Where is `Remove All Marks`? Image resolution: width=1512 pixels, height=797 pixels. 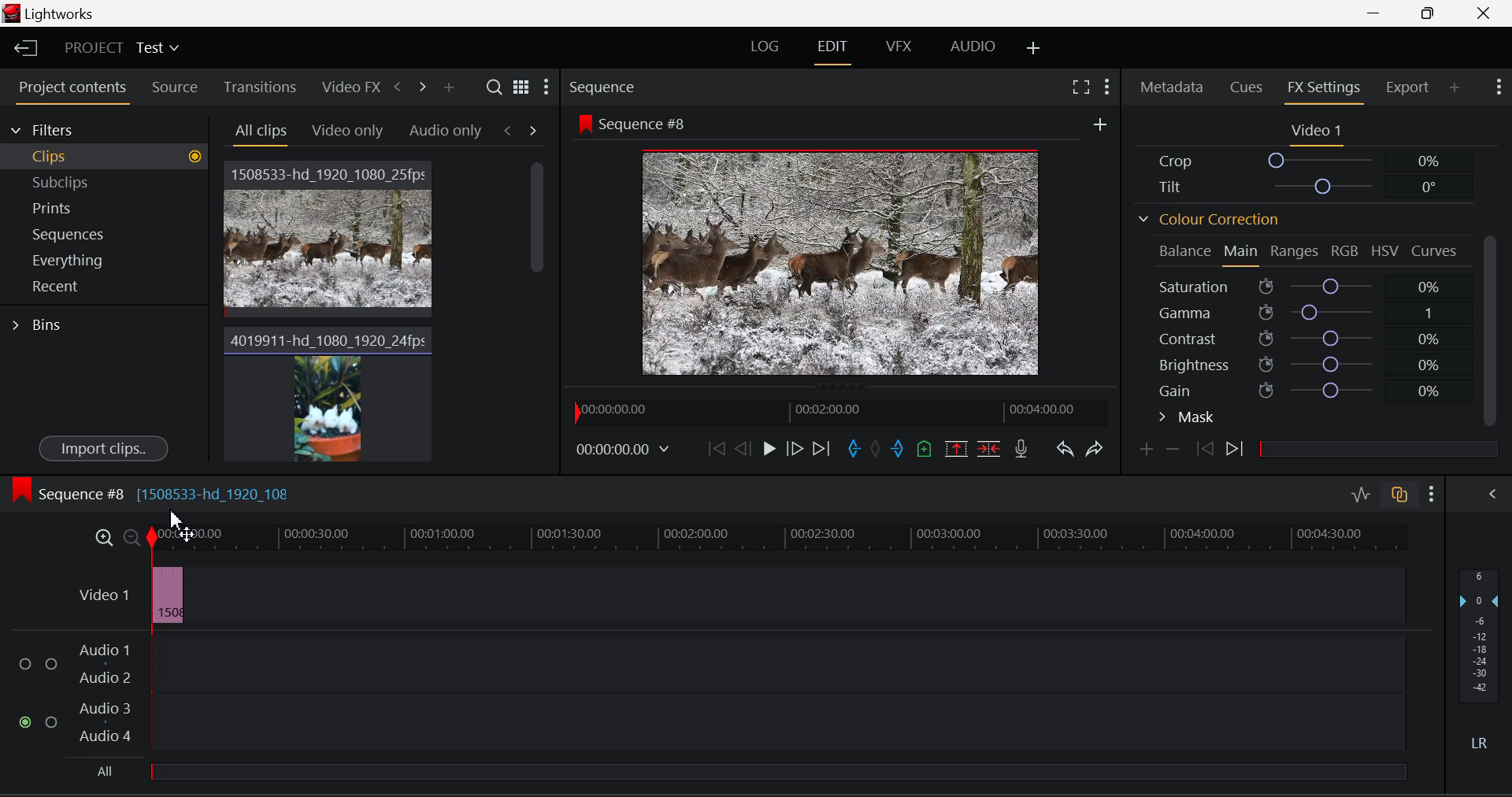
Remove All Marks is located at coordinates (877, 447).